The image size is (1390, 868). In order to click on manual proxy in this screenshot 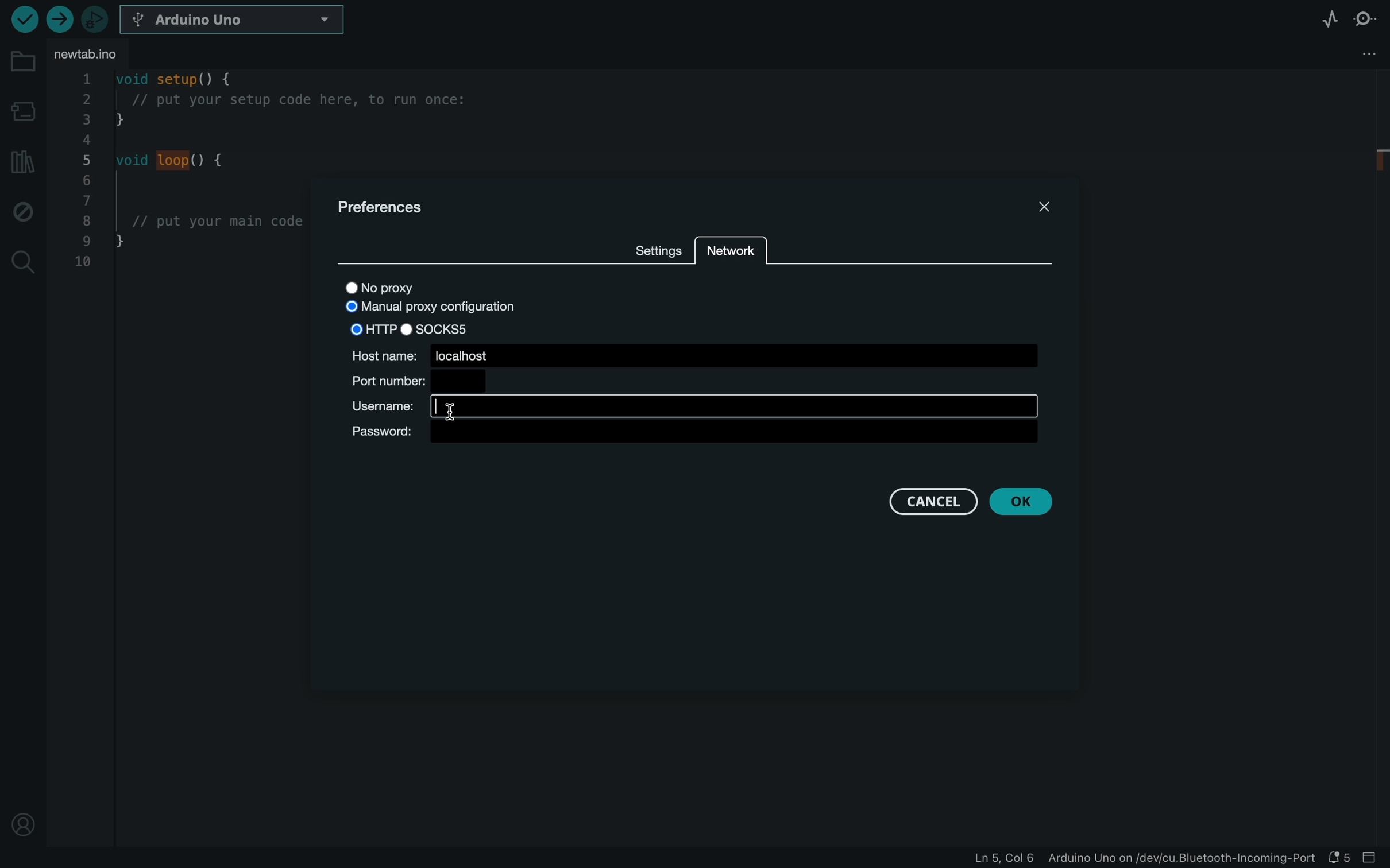, I will do `click(439, 309)`.